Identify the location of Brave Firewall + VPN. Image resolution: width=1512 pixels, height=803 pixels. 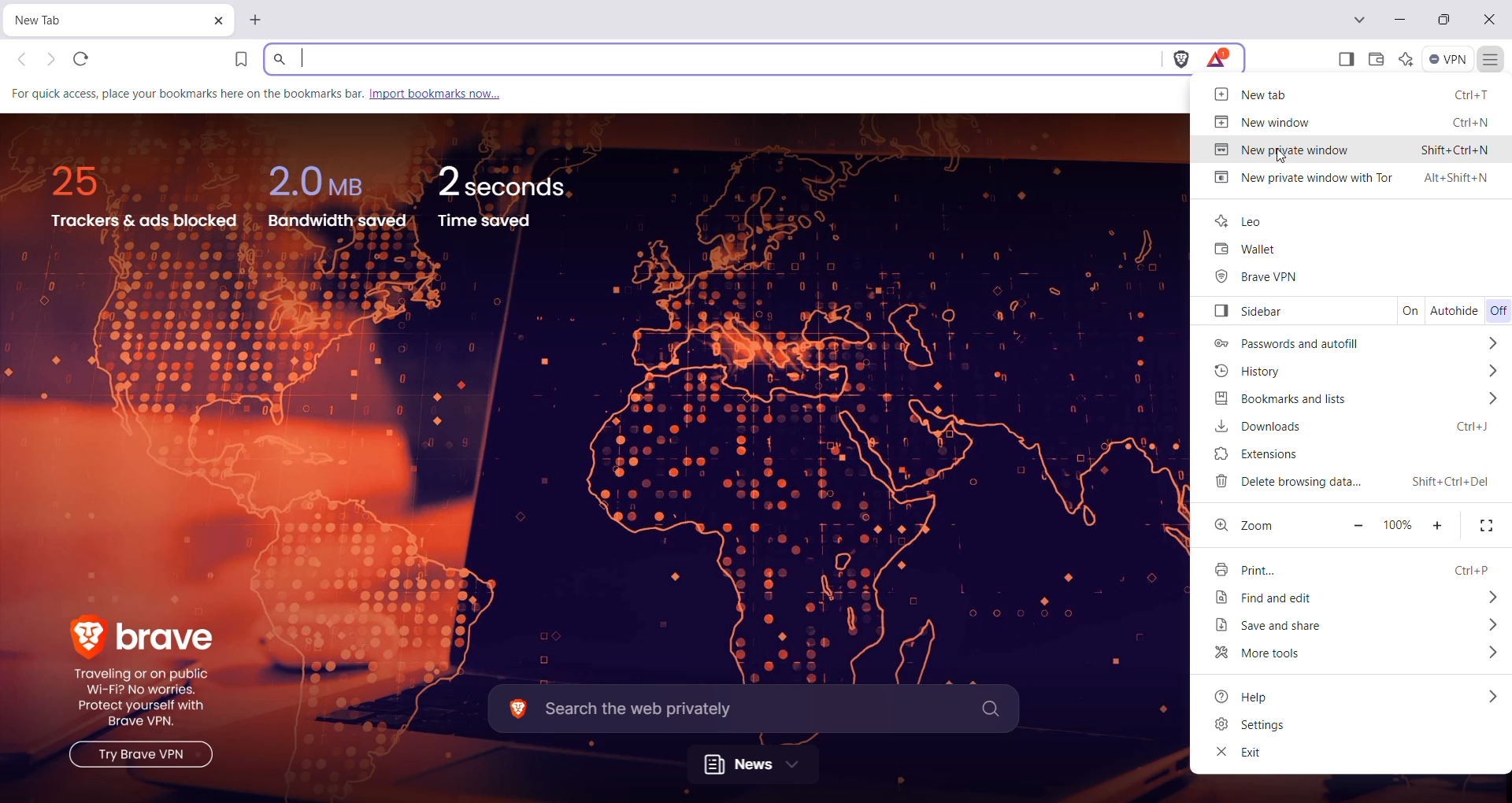
(1447, 59).